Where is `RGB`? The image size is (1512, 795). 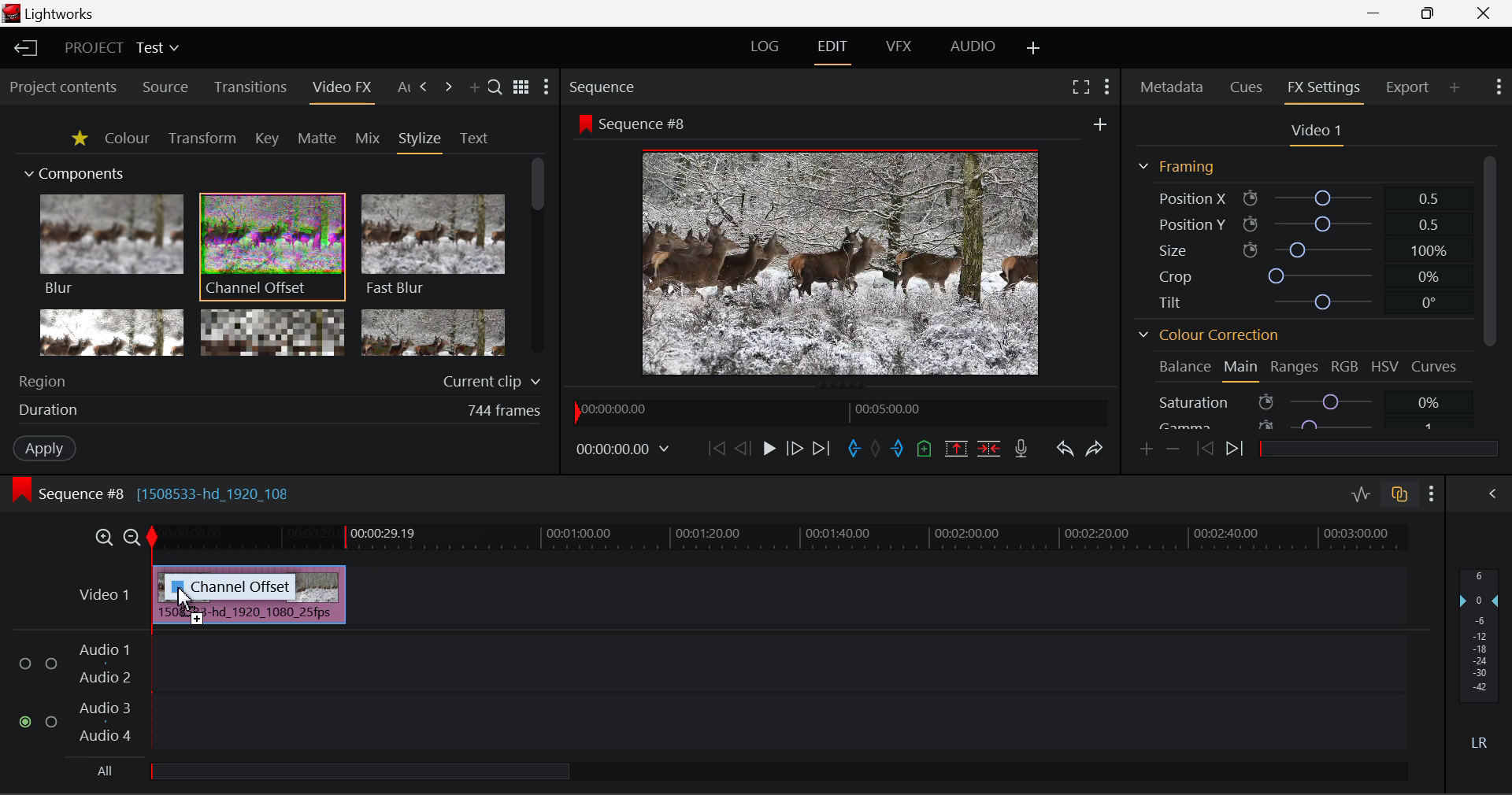
RGB is located at coordinates (1346, 366).